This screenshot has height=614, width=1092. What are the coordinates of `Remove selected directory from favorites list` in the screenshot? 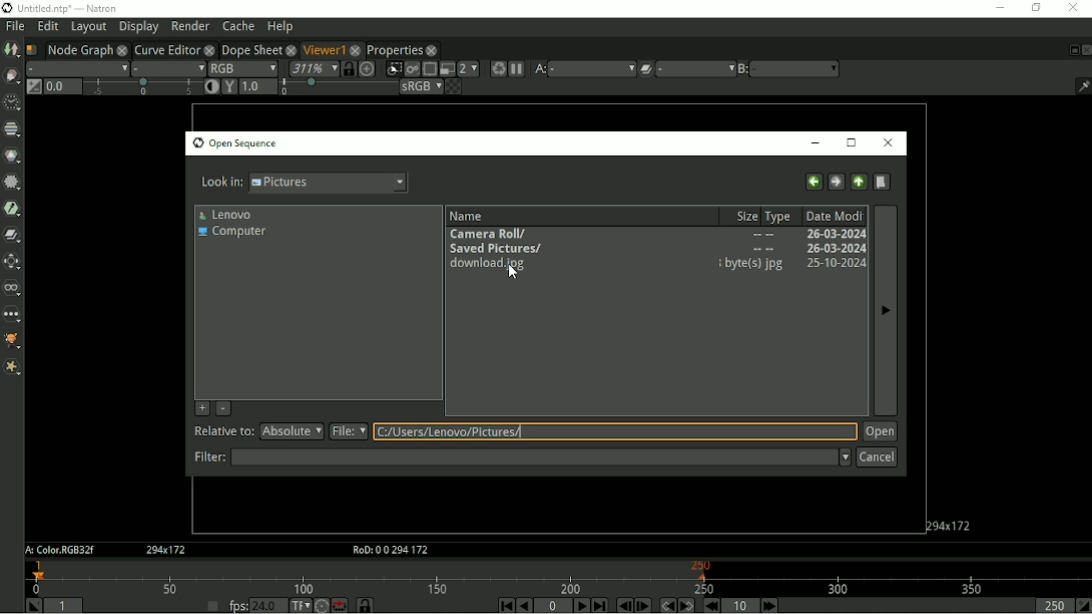 It's located at (224, 408).